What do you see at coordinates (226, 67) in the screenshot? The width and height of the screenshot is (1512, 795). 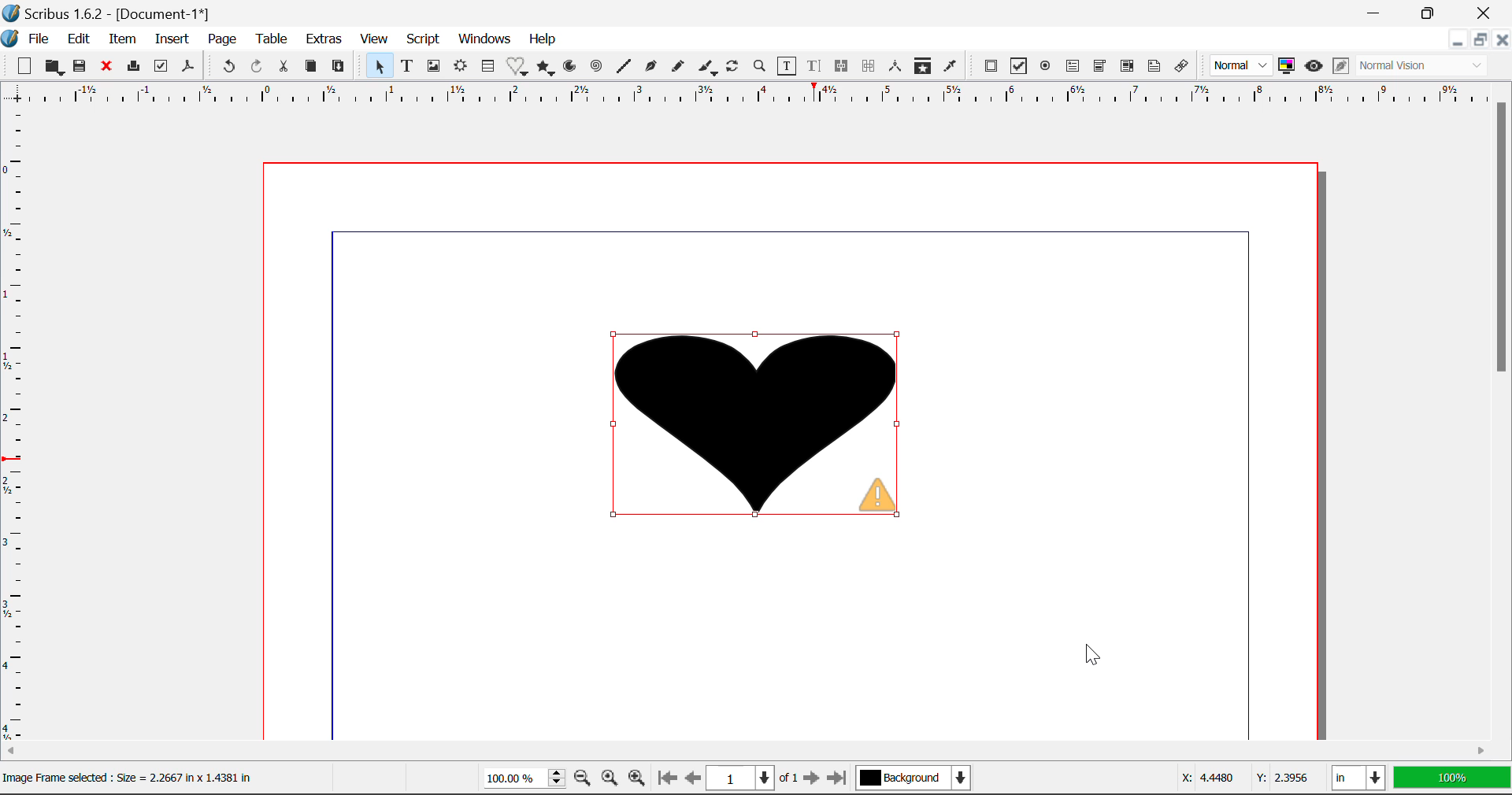 I see `Undo` at bounding box center [226, 67].